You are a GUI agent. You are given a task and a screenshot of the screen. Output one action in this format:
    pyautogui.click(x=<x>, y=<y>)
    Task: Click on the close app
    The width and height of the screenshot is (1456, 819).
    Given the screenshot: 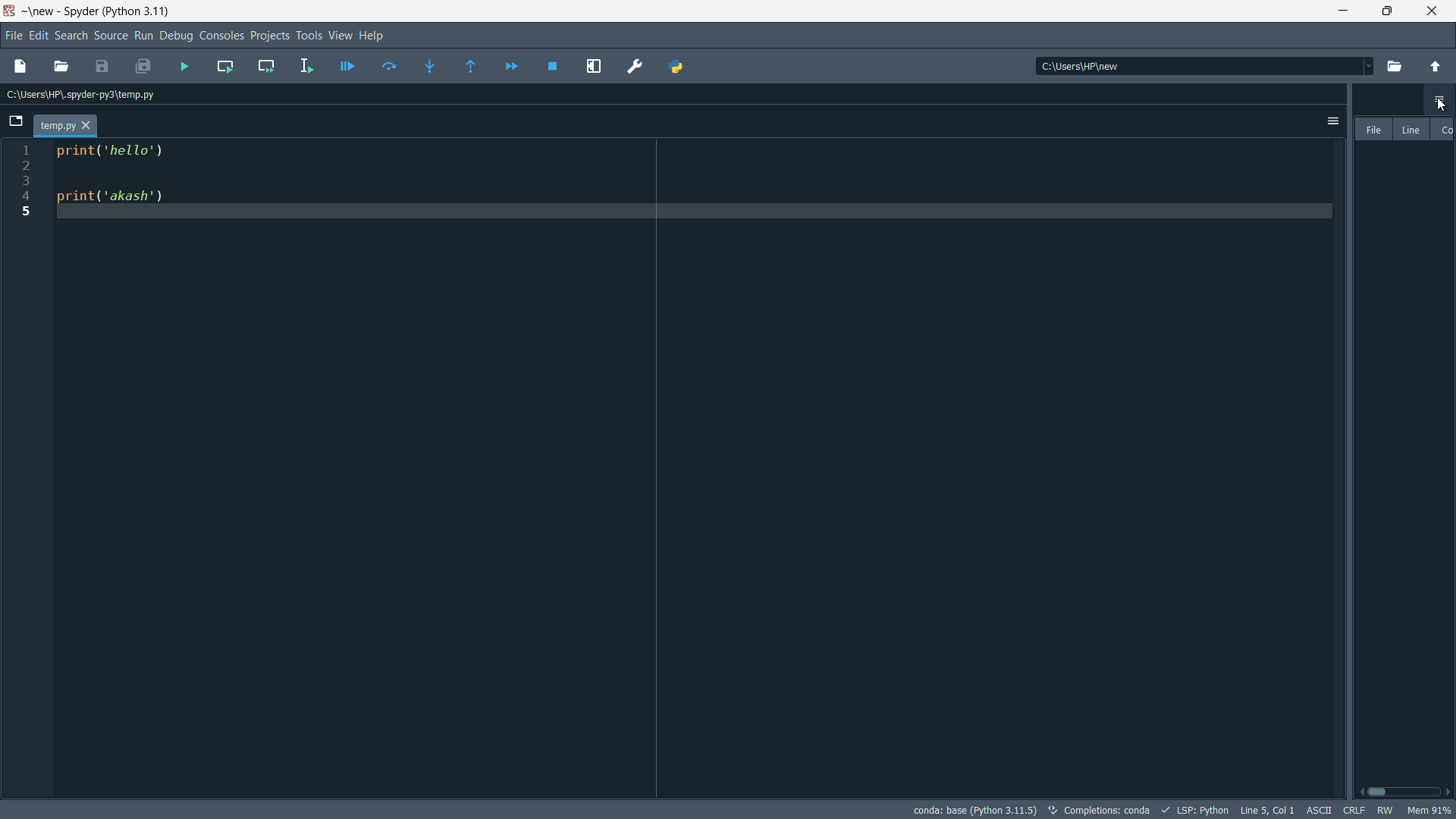 What is the action you would take?
    pyautogui.click(x=1432, y=11)
    